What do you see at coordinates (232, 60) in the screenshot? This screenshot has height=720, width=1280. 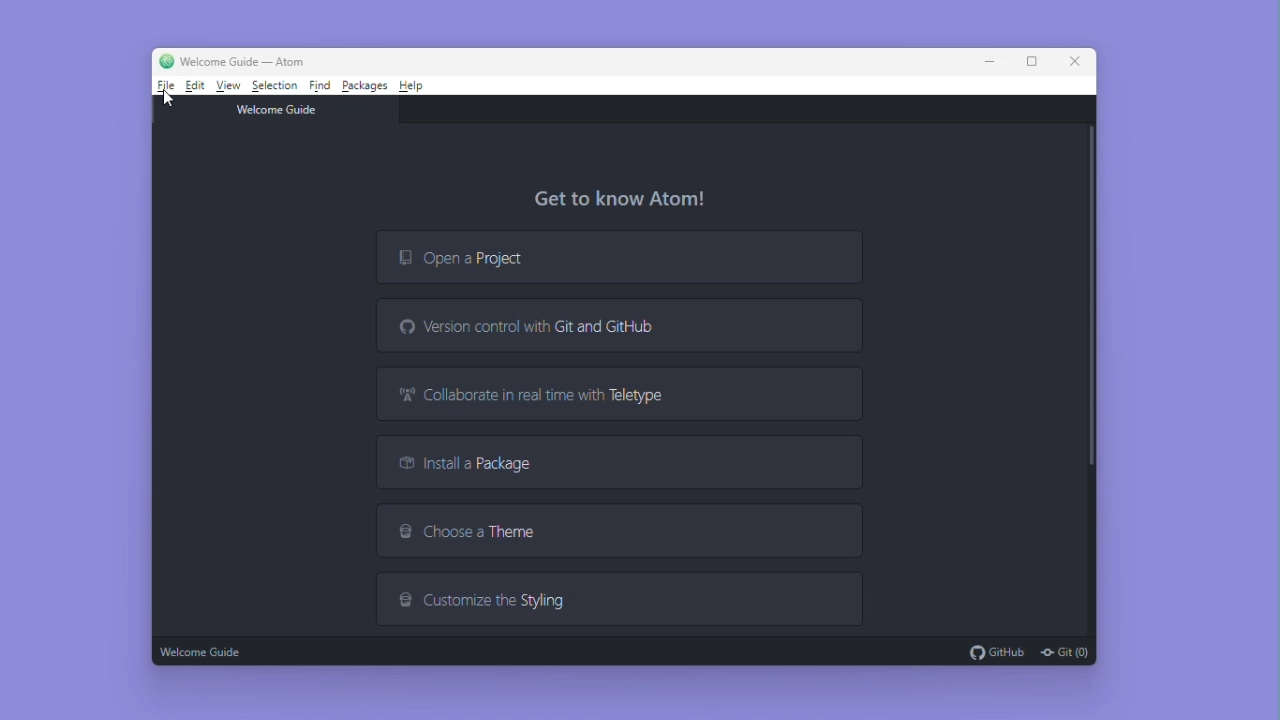 I see `Welcome guide - Atom` at bounding box center [232, 60].